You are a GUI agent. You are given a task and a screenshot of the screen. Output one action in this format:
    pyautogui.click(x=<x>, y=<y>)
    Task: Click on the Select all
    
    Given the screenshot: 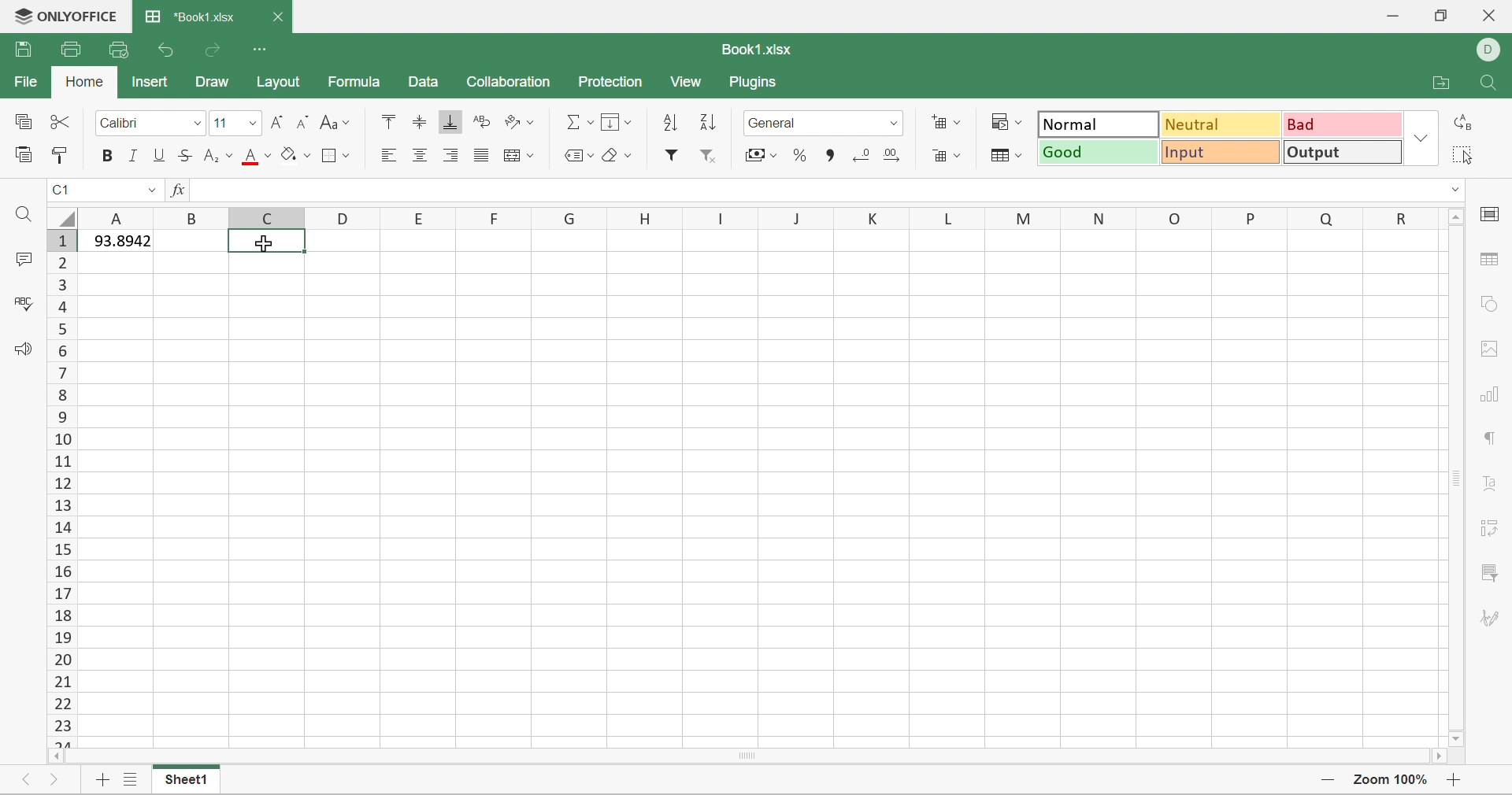 What is the action you would take?
    pyautogui.click(x=1462, y=154)
    